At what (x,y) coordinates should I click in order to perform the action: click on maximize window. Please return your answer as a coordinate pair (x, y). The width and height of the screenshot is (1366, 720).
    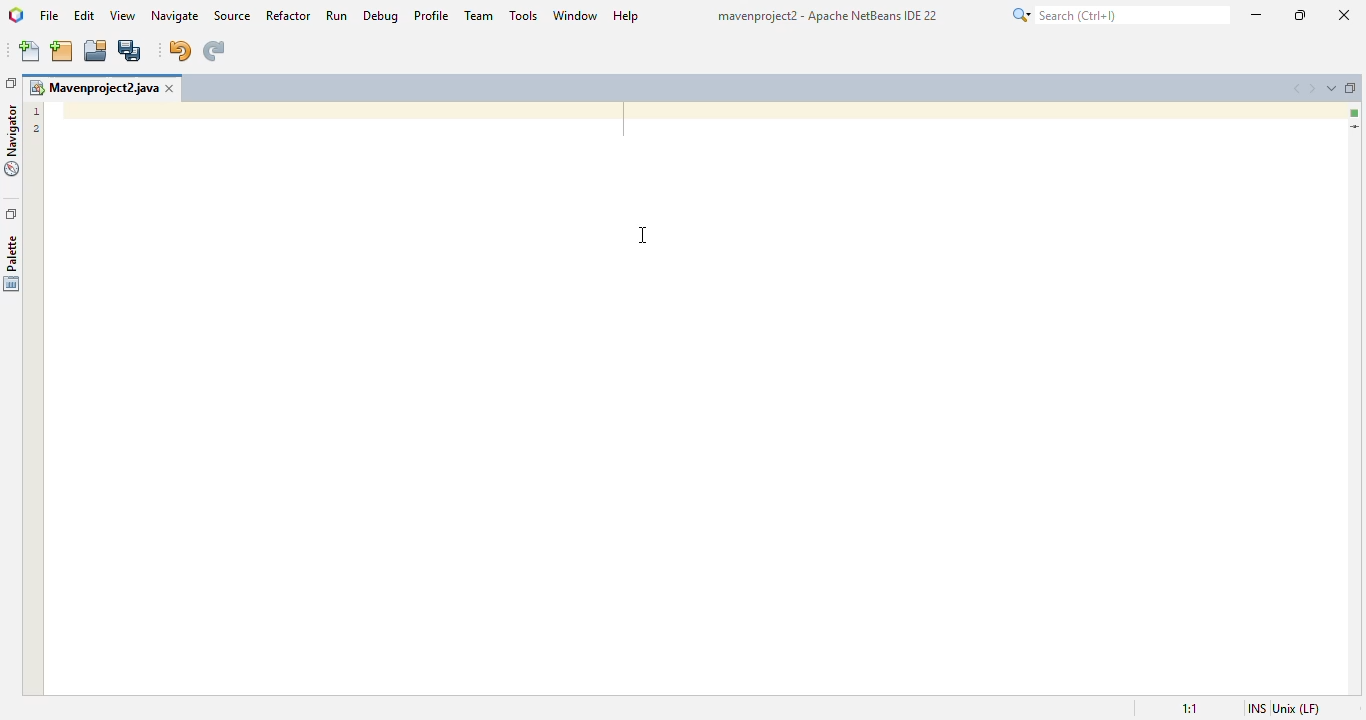
    Looking at the image, I should click on (1351, 87).